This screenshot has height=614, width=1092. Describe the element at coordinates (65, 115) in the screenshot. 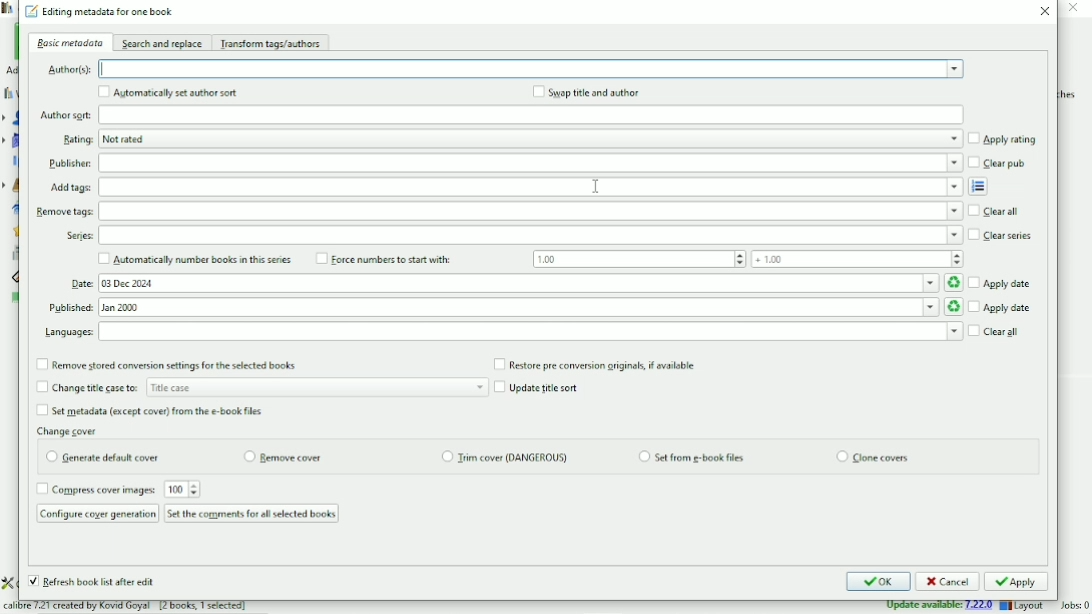

I see `Author sort:` at that location.